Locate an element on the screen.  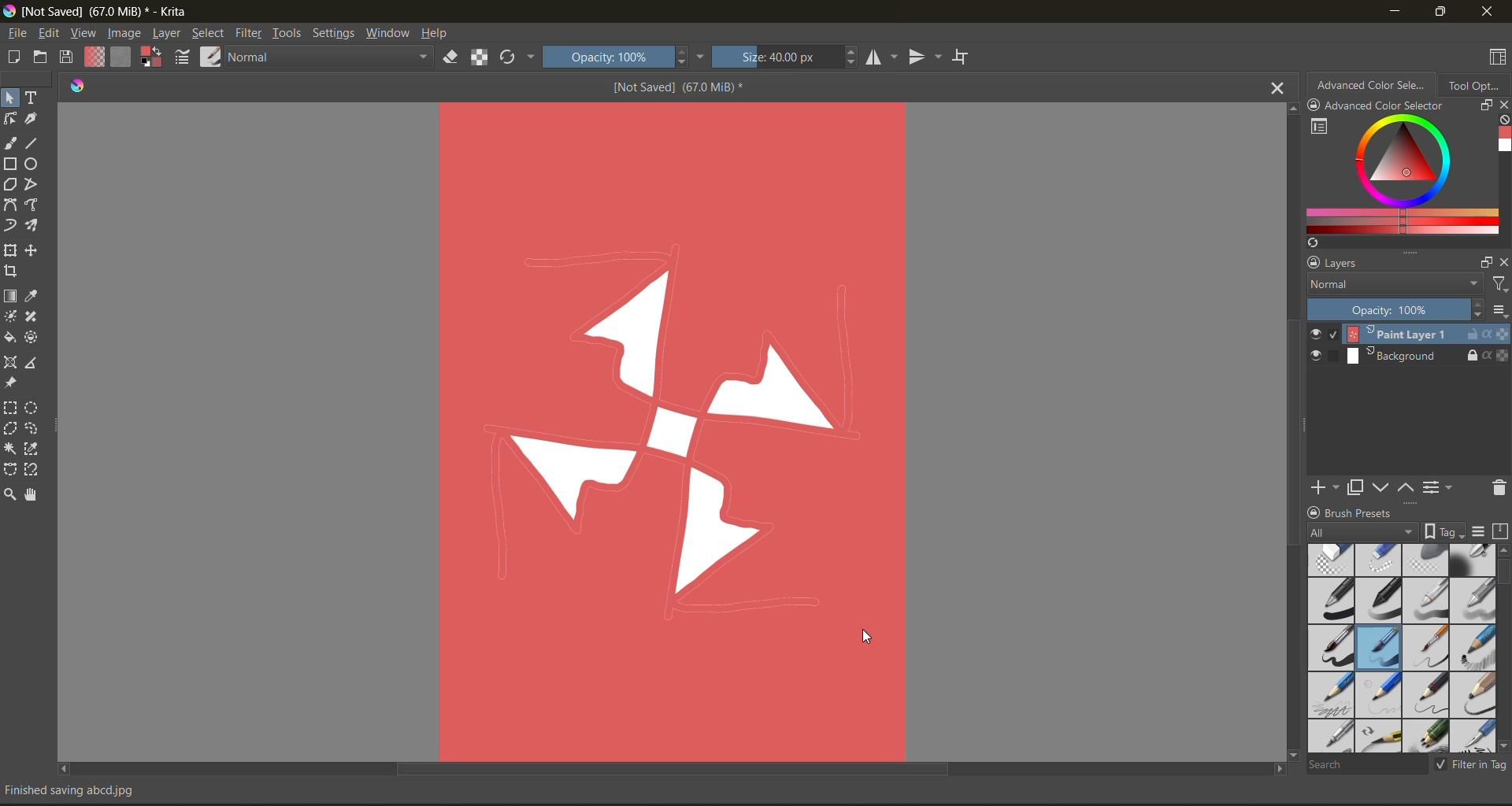
tools is located at coordinates (9, 449).